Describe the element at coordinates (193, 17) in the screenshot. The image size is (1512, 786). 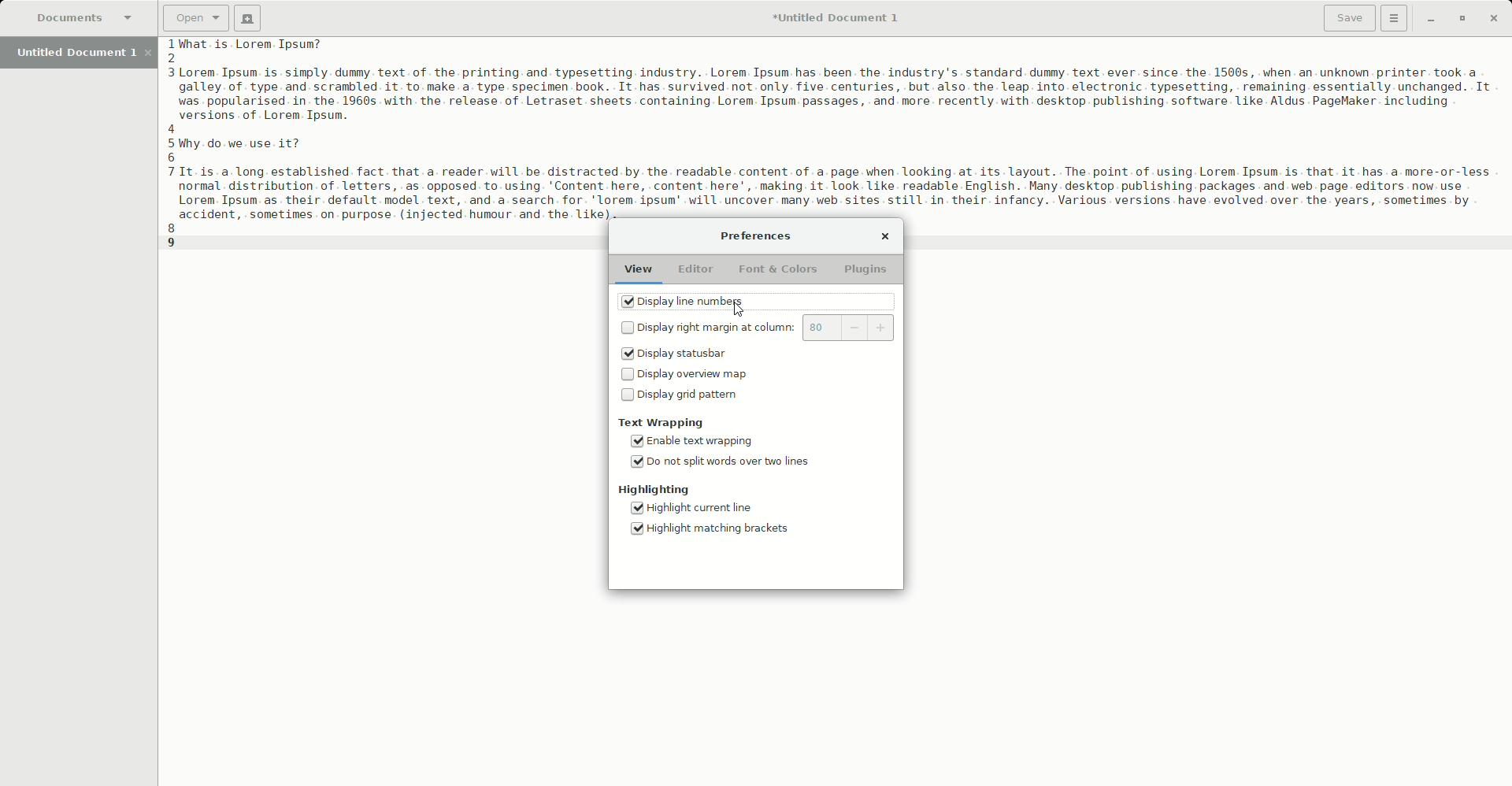
I see `Open` at that location.